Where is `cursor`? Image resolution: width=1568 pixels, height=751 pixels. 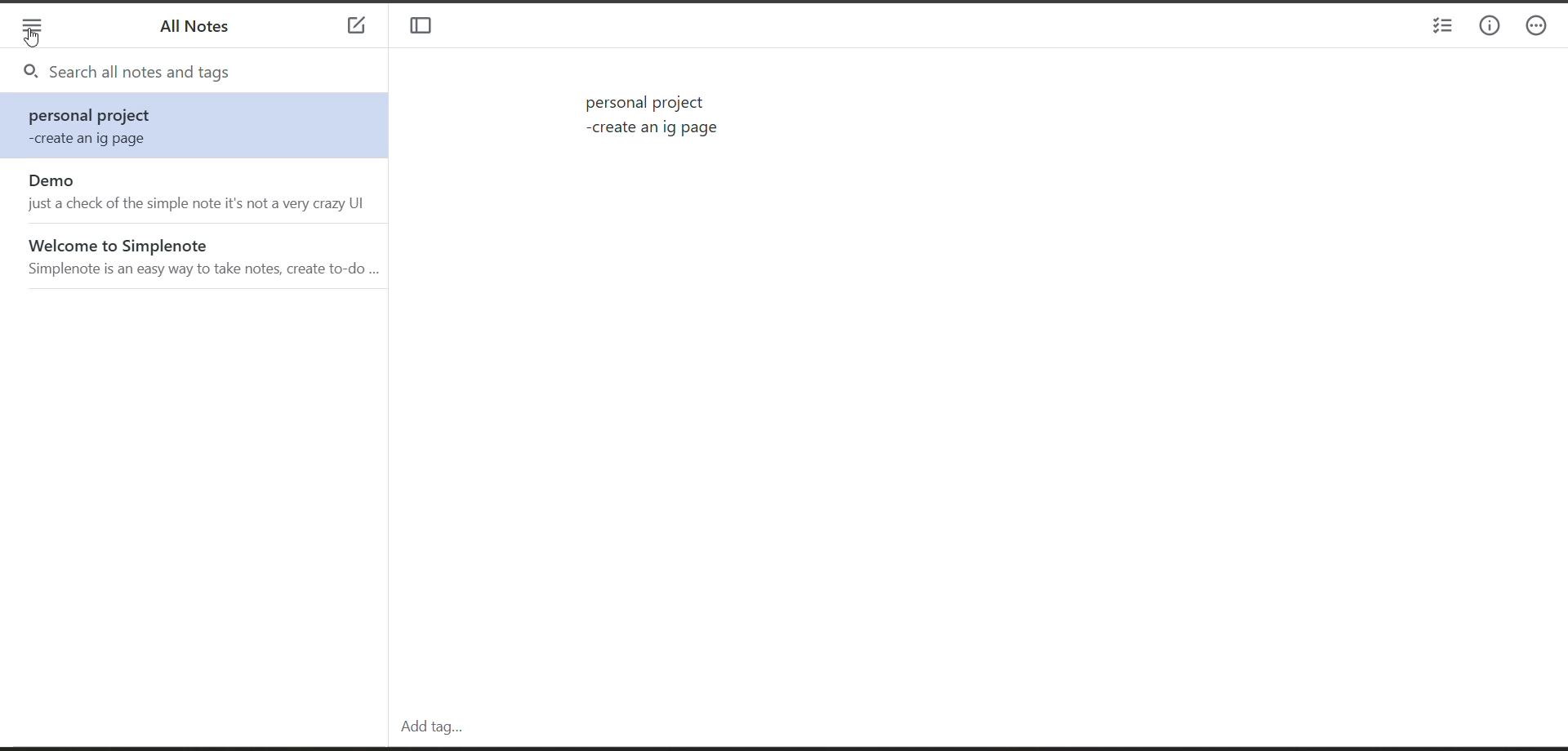
cursor is located at coordinates (29, 38).